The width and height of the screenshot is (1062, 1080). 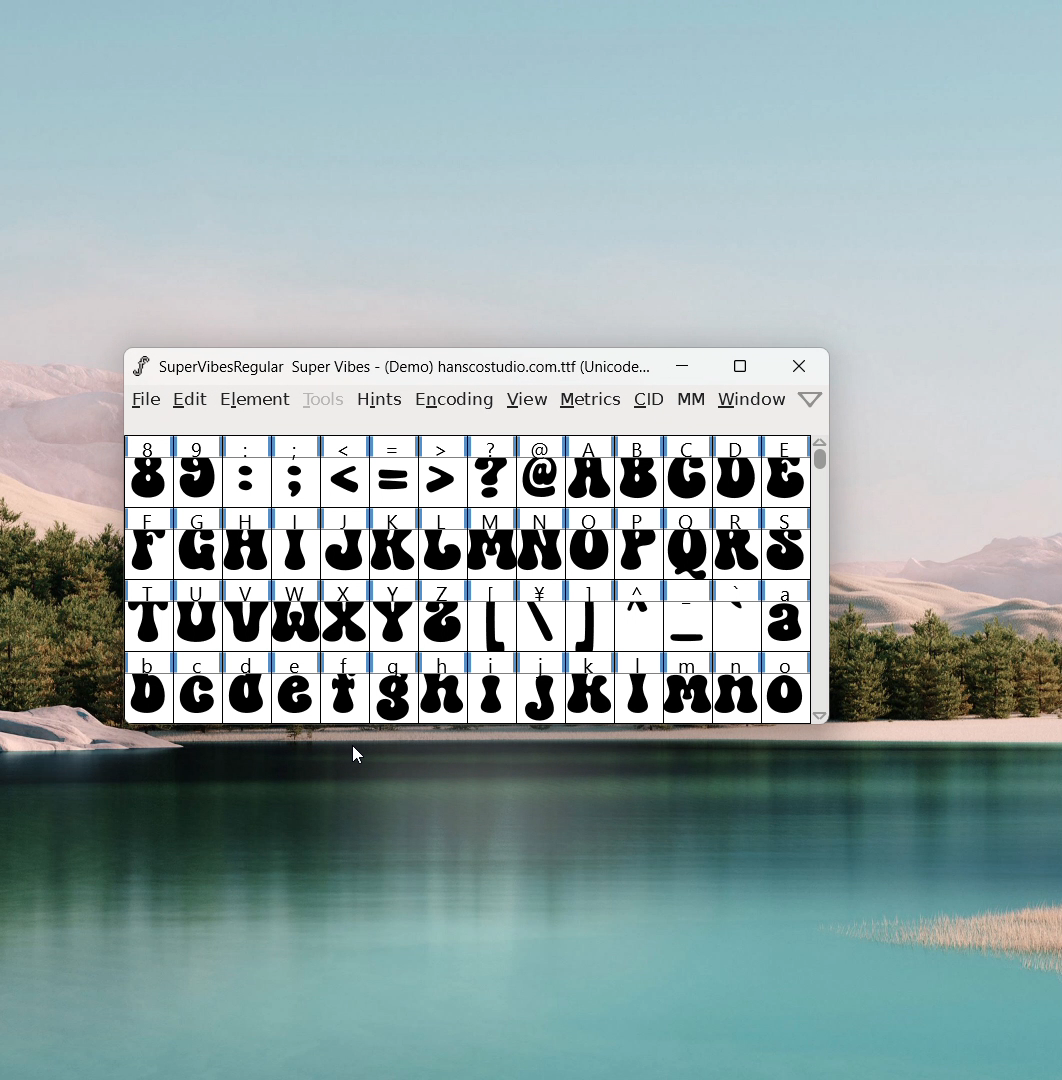 I want to click on o, so click(x=786, y=689).